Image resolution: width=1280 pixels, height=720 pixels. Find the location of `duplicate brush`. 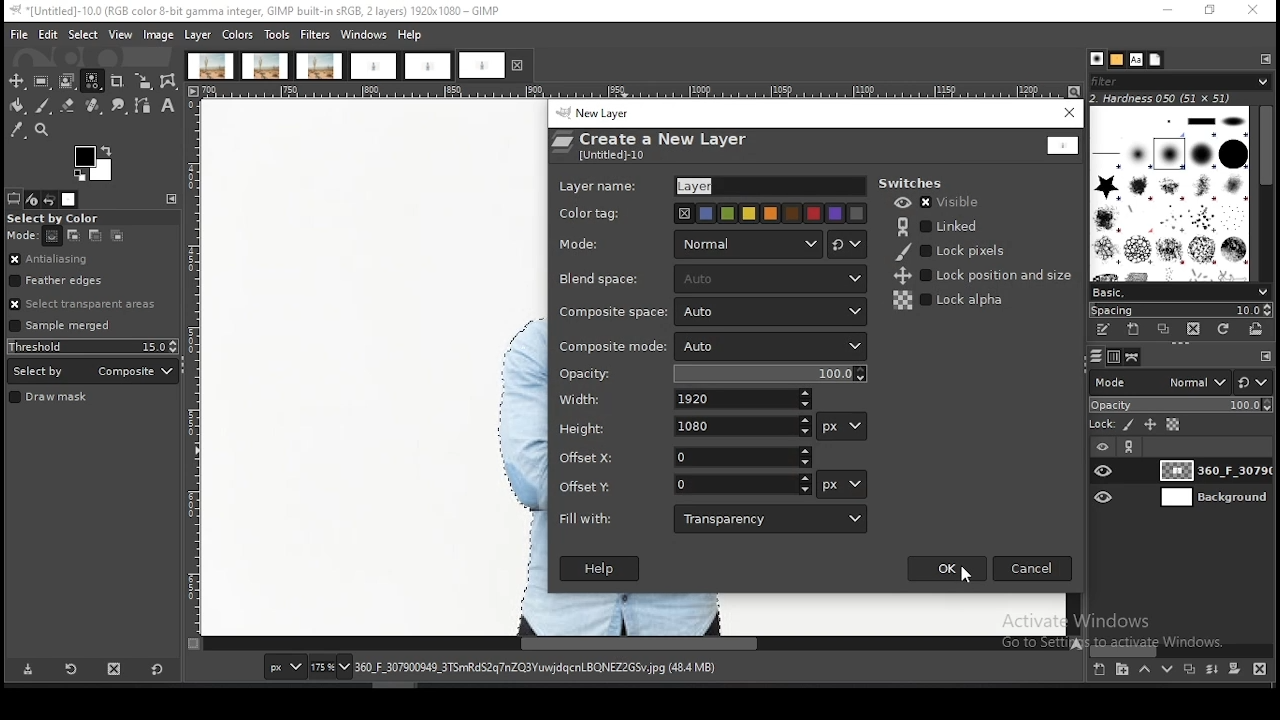

duplicate brush is located at coordinates (1165, 331).